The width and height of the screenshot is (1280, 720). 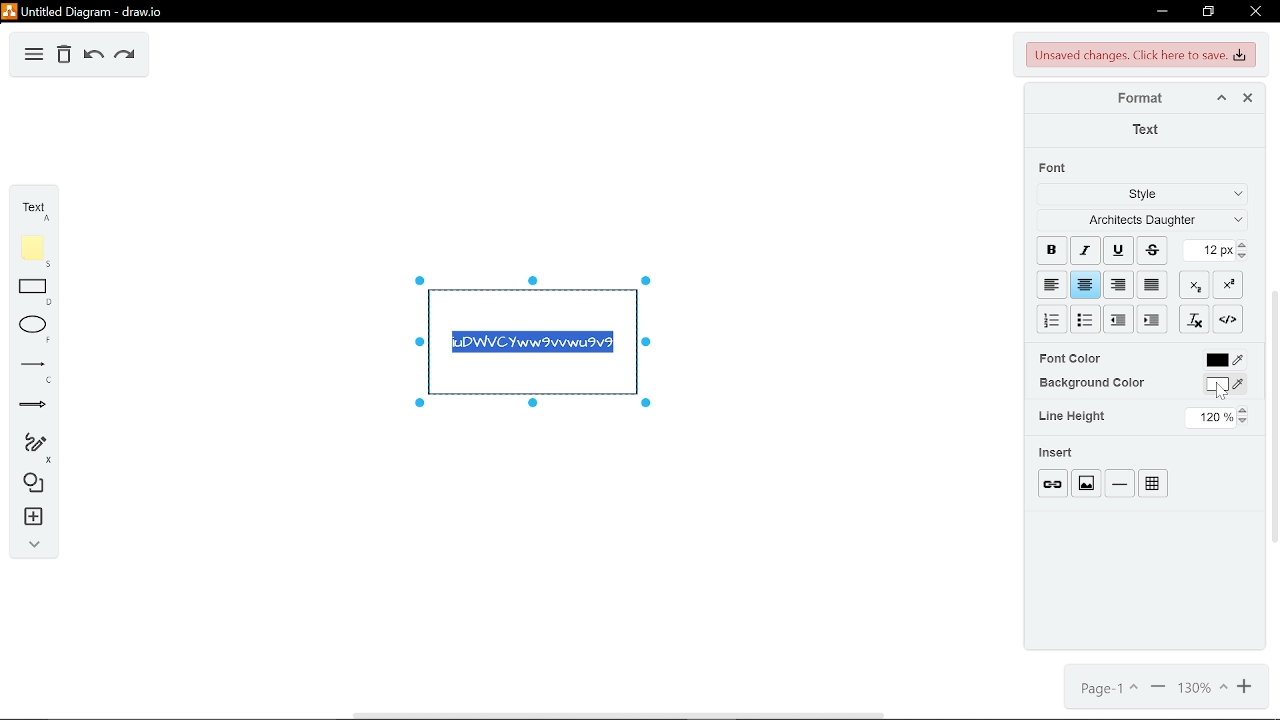 What do you see at coordinates (29, 327) in the screenshot?
I see `ellipse` at bounding box center [29, 327].